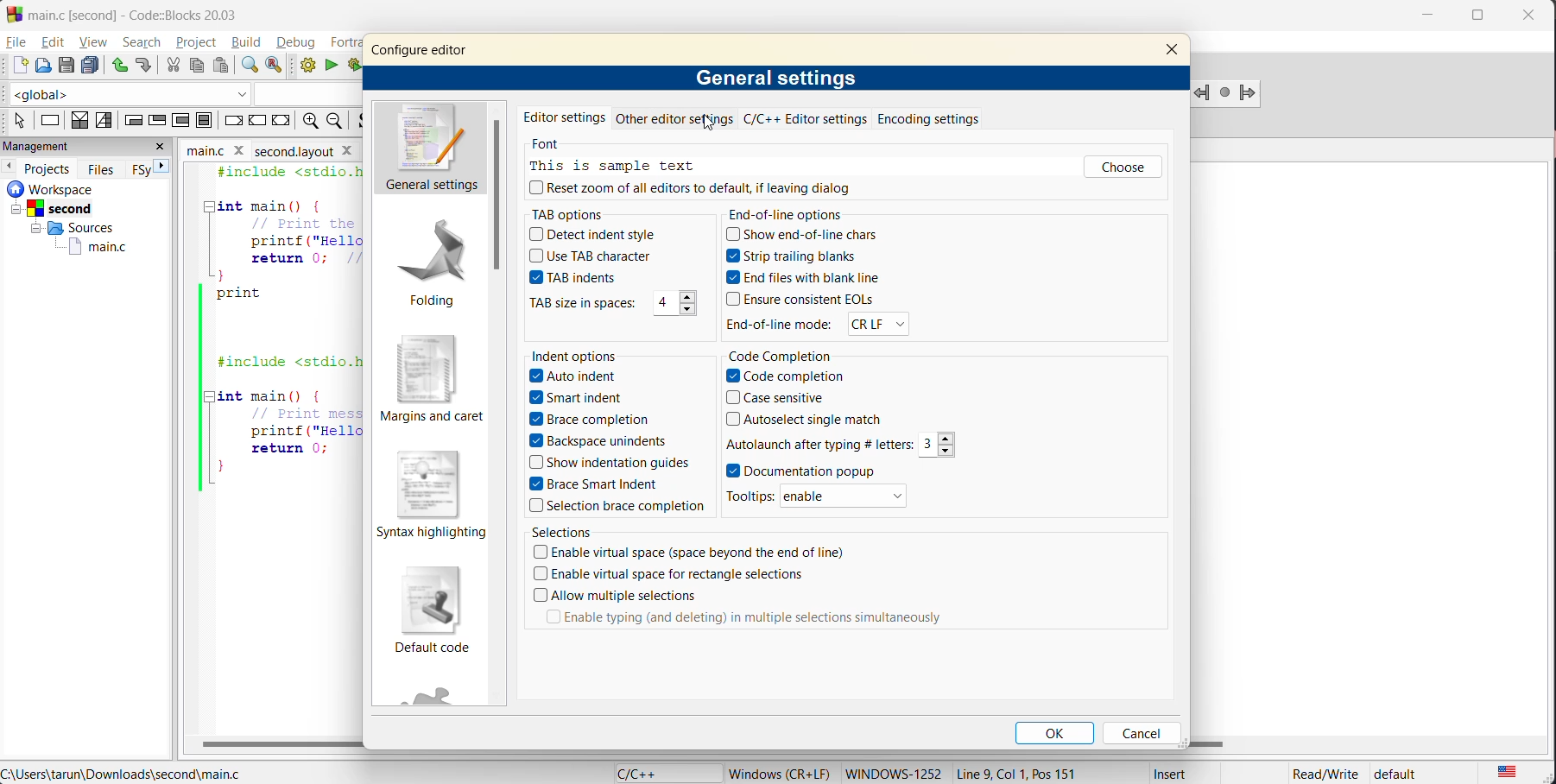 The height and width of the screenshot is (784, 1556). Describe the element at coordinates (10, 166) in the screenshot. I see `previous` at that location.